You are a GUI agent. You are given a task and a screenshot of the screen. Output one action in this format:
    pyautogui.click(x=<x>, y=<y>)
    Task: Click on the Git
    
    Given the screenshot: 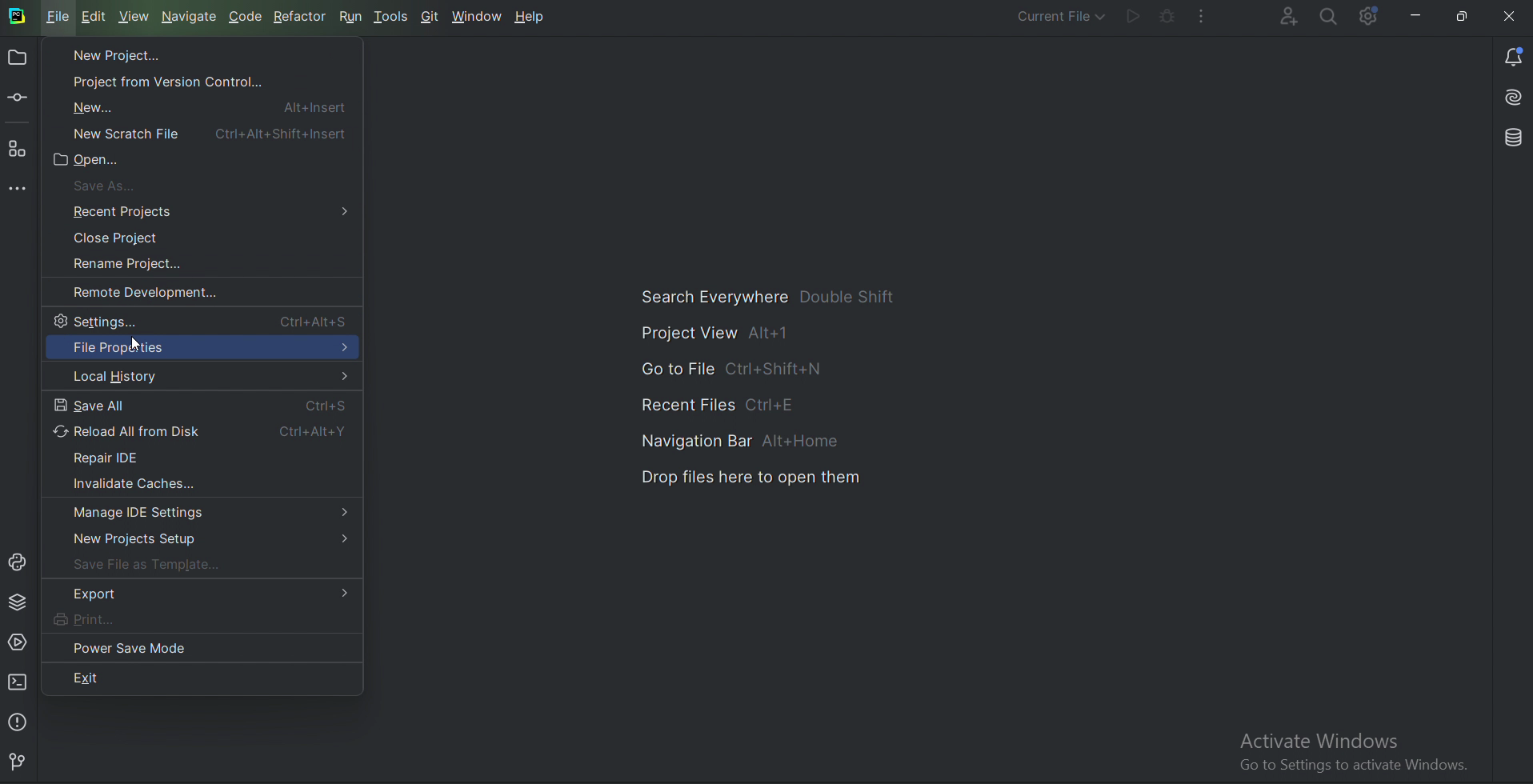 What is the action you would take?
    pyautogui.click(x=430, y=16)
    